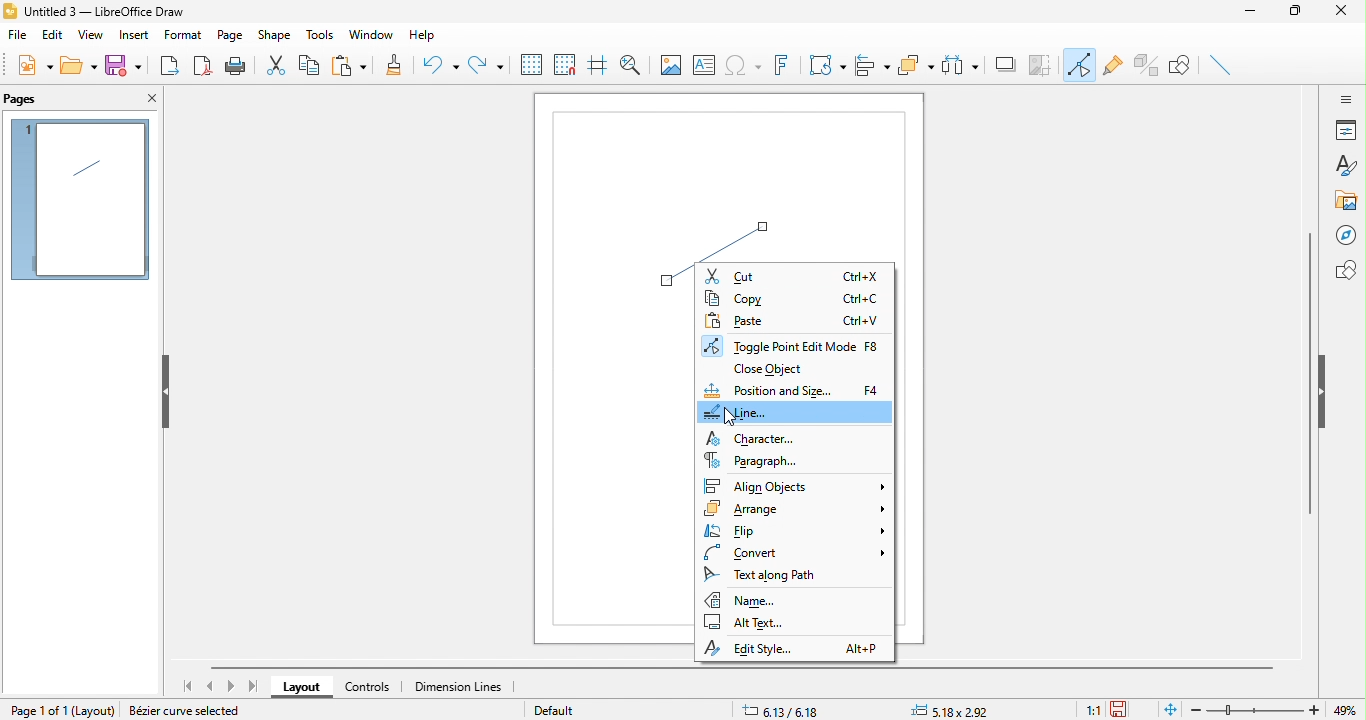 This screenshot has height=720, width=1366. Describe the element at coordinates (873, 67) in the screenshot. I see `align object` at that location.